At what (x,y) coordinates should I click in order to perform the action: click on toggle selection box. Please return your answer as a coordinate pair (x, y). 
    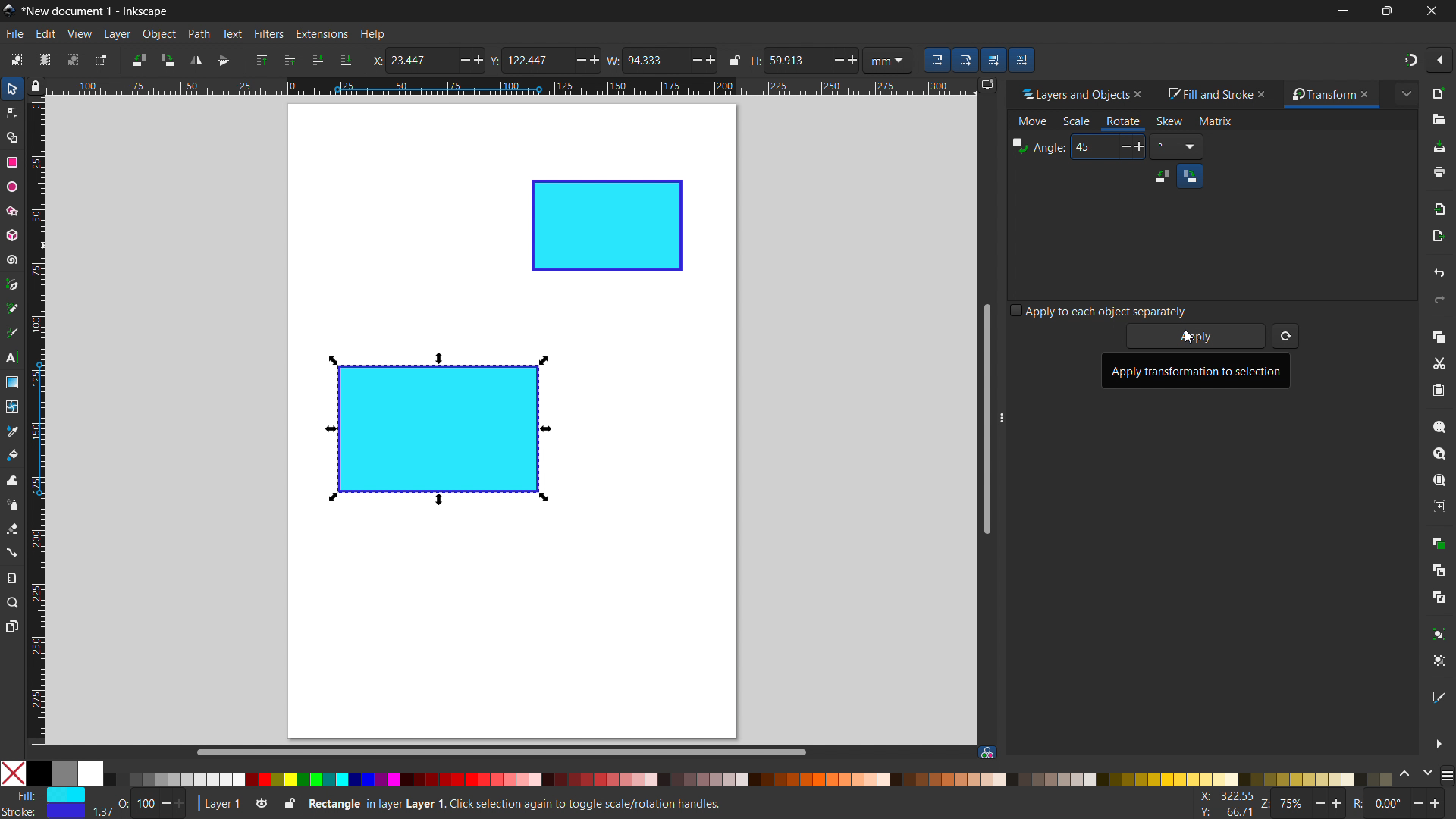
    Looking at the image, I should click on (99, 61).